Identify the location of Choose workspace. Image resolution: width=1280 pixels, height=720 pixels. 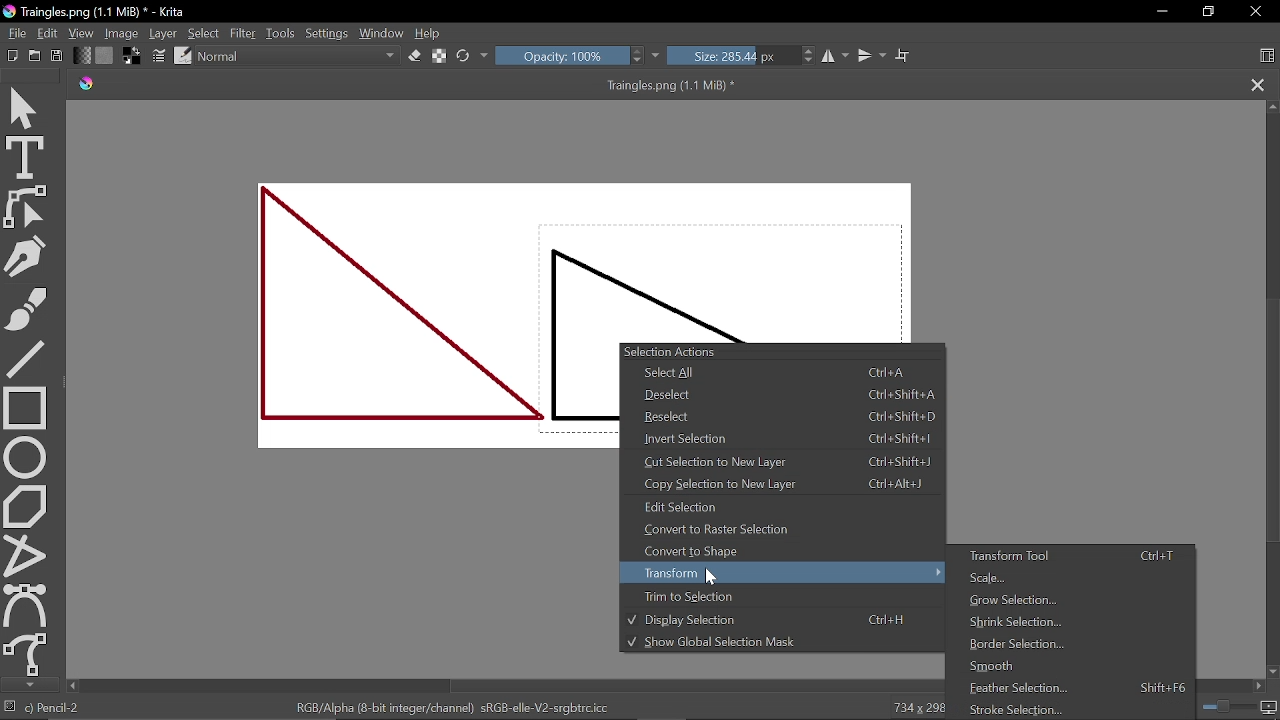
(1266, 55).